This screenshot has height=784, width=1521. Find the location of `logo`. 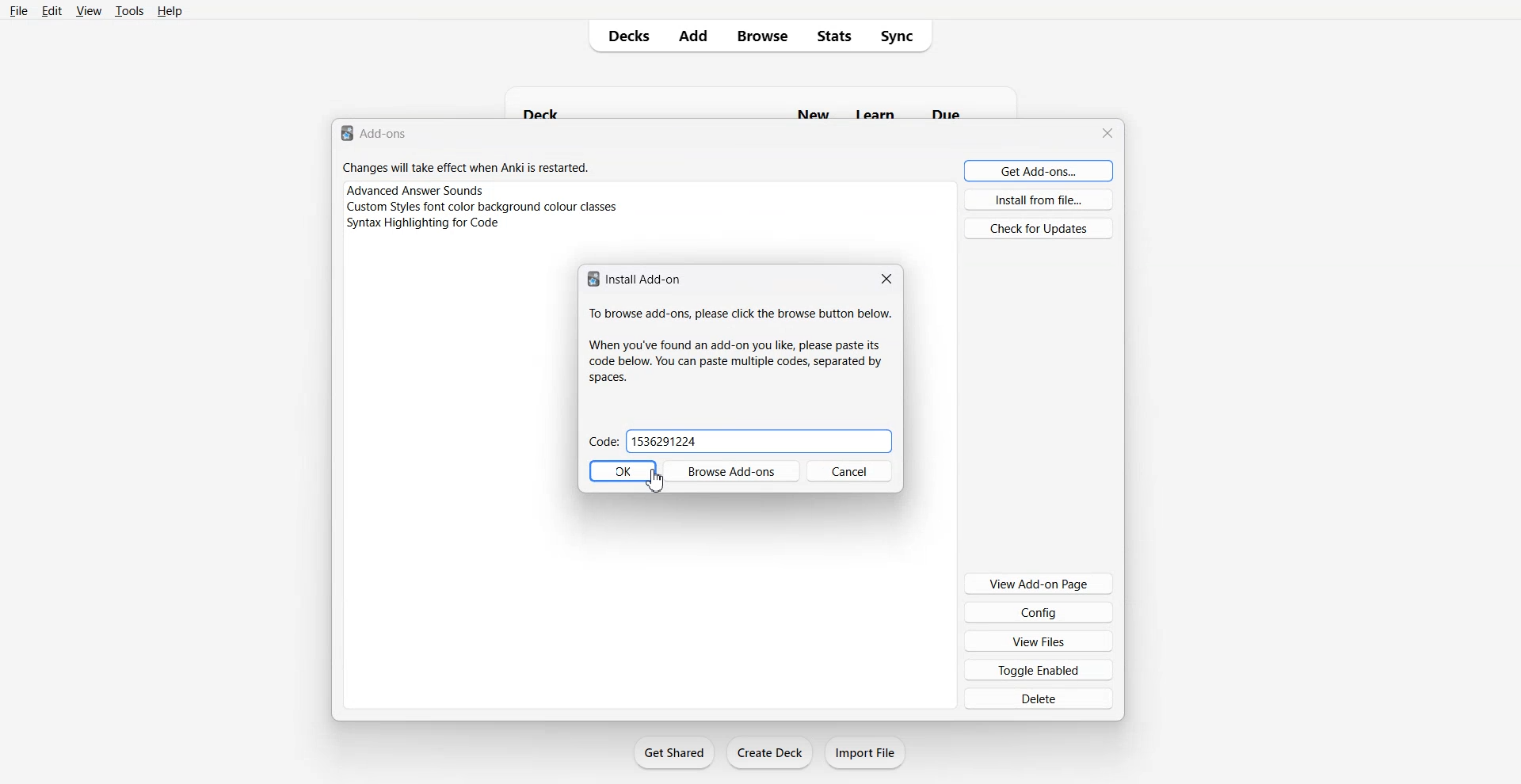

logo is located at coordinates (591, 280).